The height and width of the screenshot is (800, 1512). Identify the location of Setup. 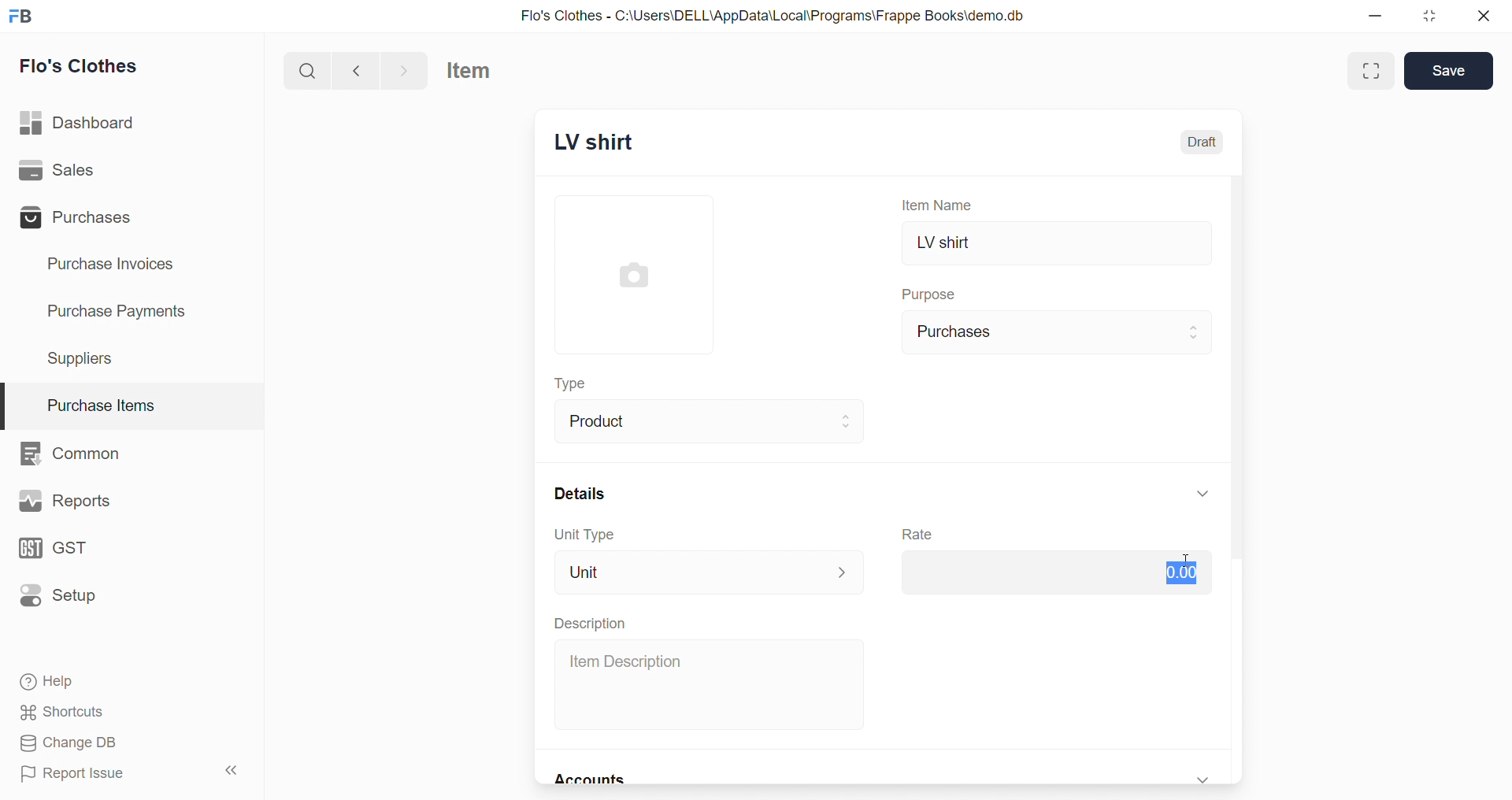
(69, 598).